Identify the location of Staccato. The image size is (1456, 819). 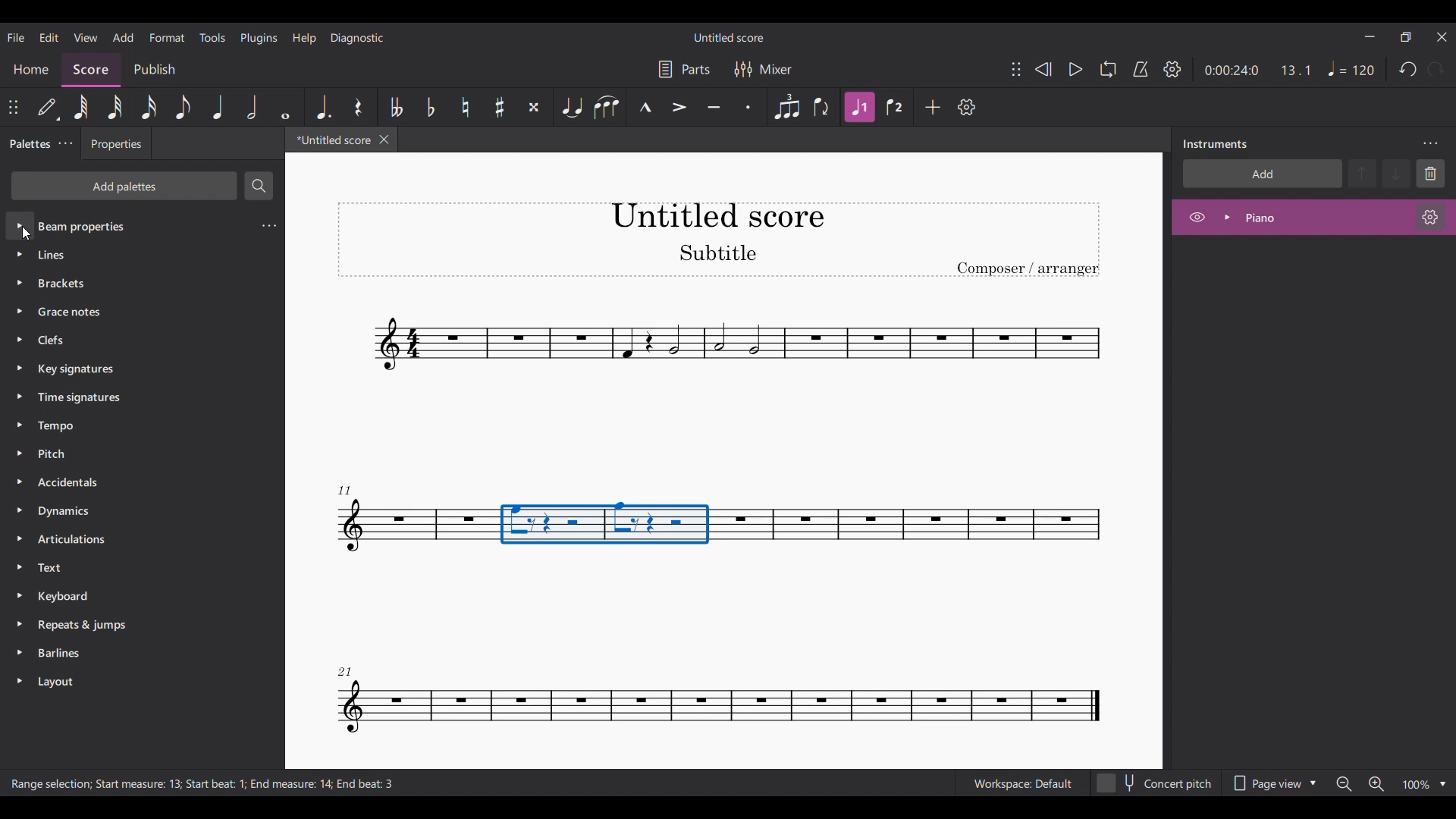
(748, 107).